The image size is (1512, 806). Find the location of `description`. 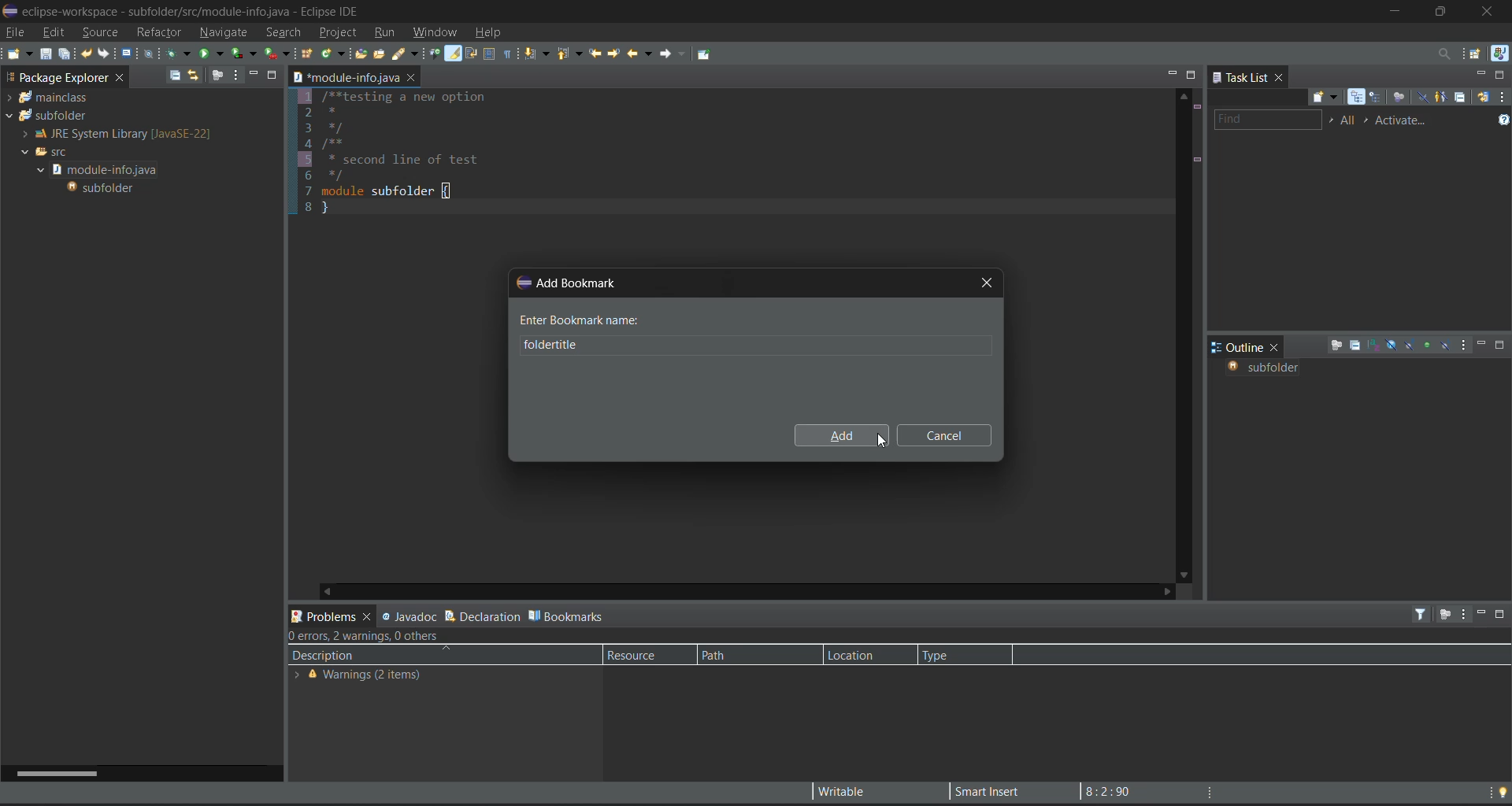

description is located at coordinates (382, 653).